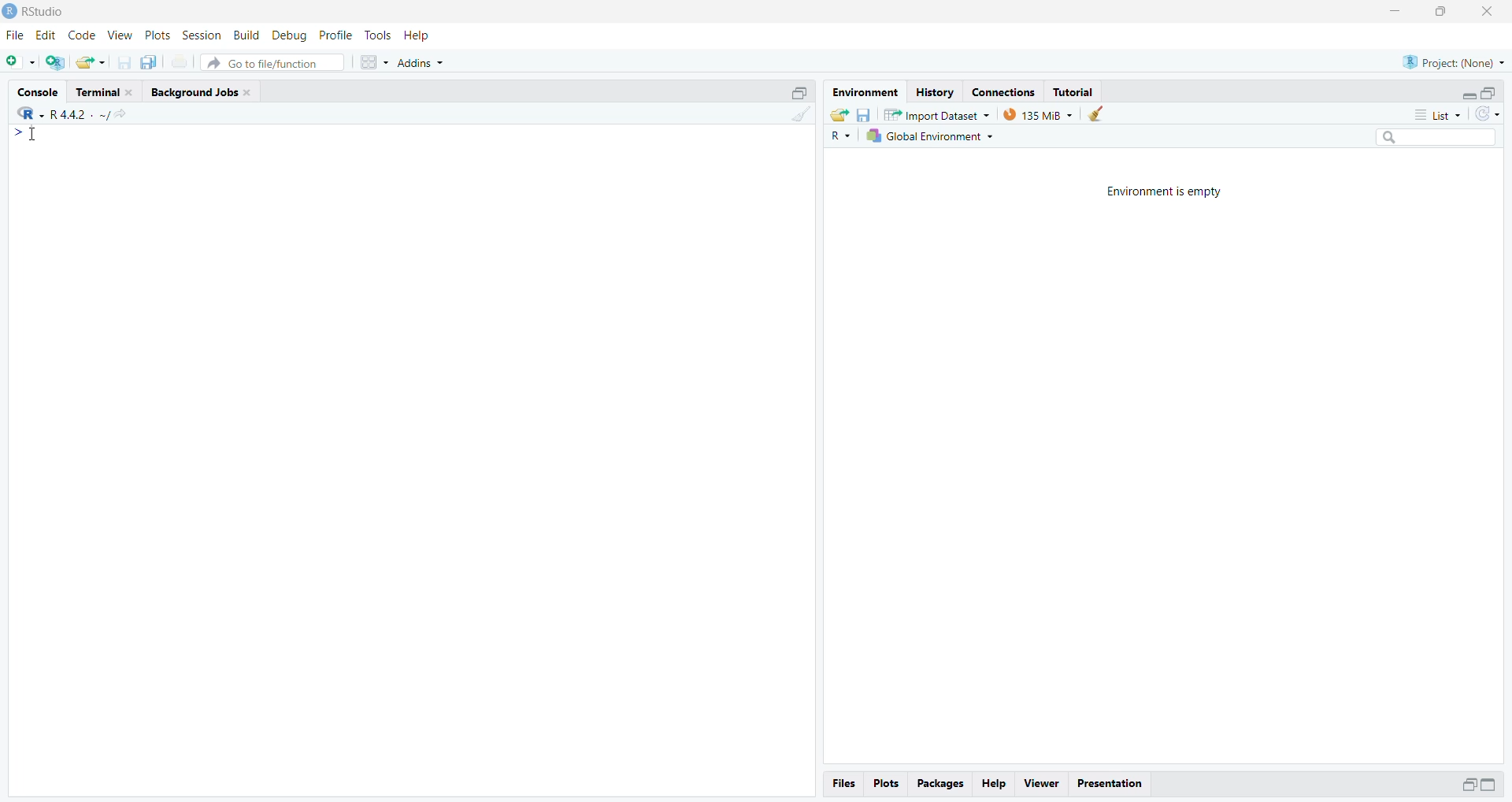 The height and width of the screenshot is (802, 1512). I want to click on Minimize, so click(1466, 785).